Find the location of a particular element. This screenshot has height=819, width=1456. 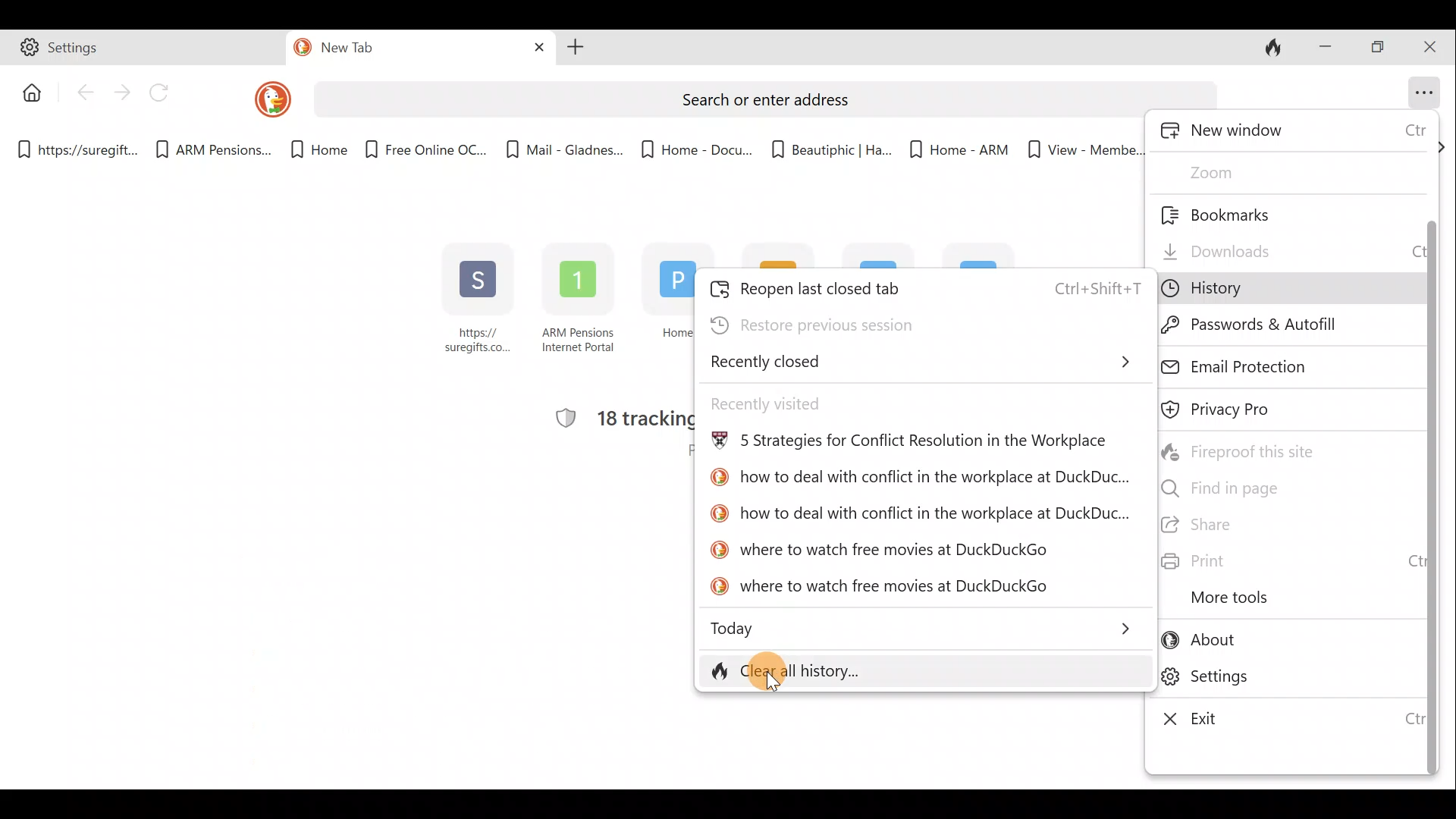

Mail - Gladnes... is located at coordinates (564, 144).